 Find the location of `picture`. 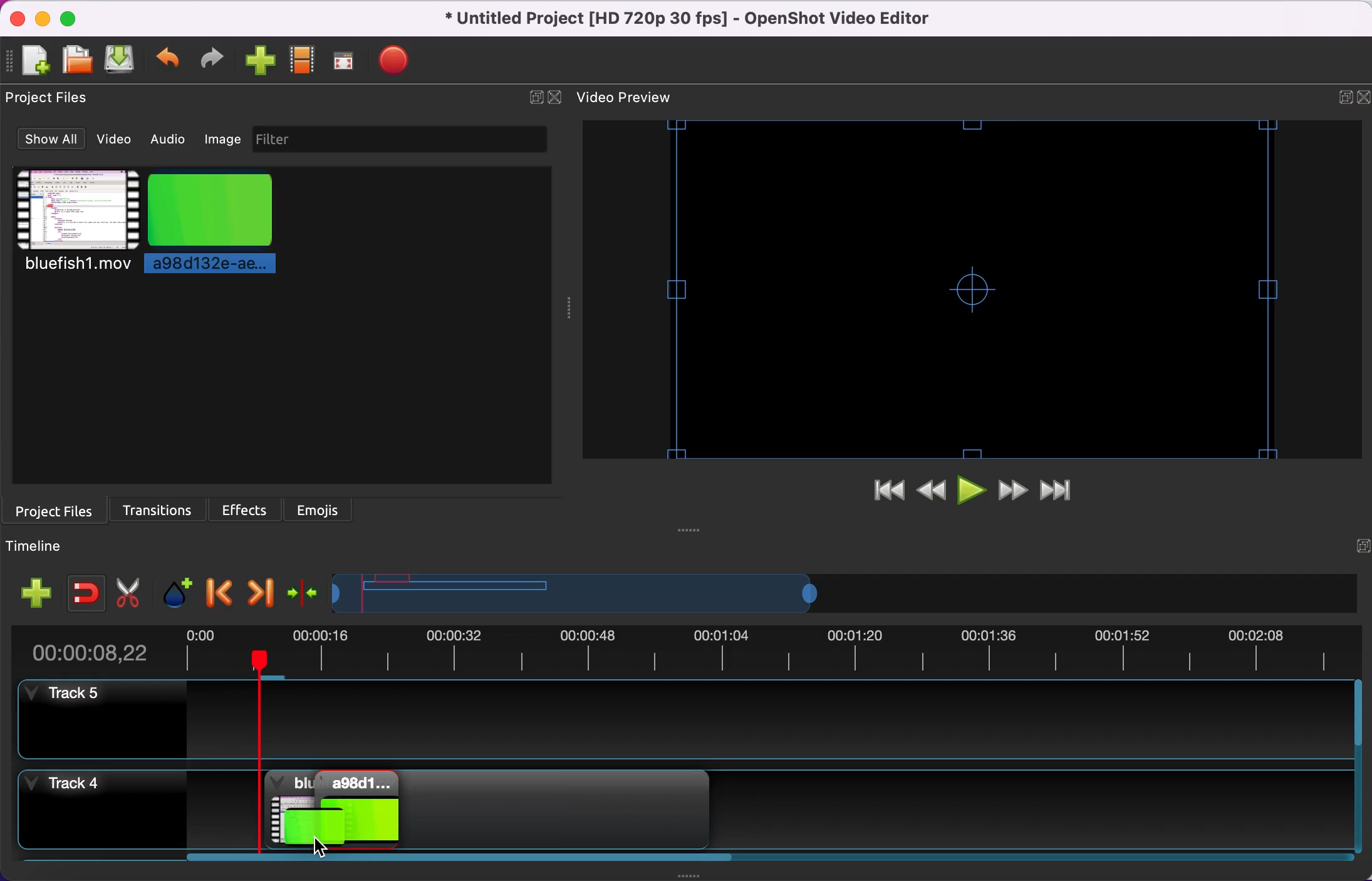

picture is located at coordinates (227, 225).